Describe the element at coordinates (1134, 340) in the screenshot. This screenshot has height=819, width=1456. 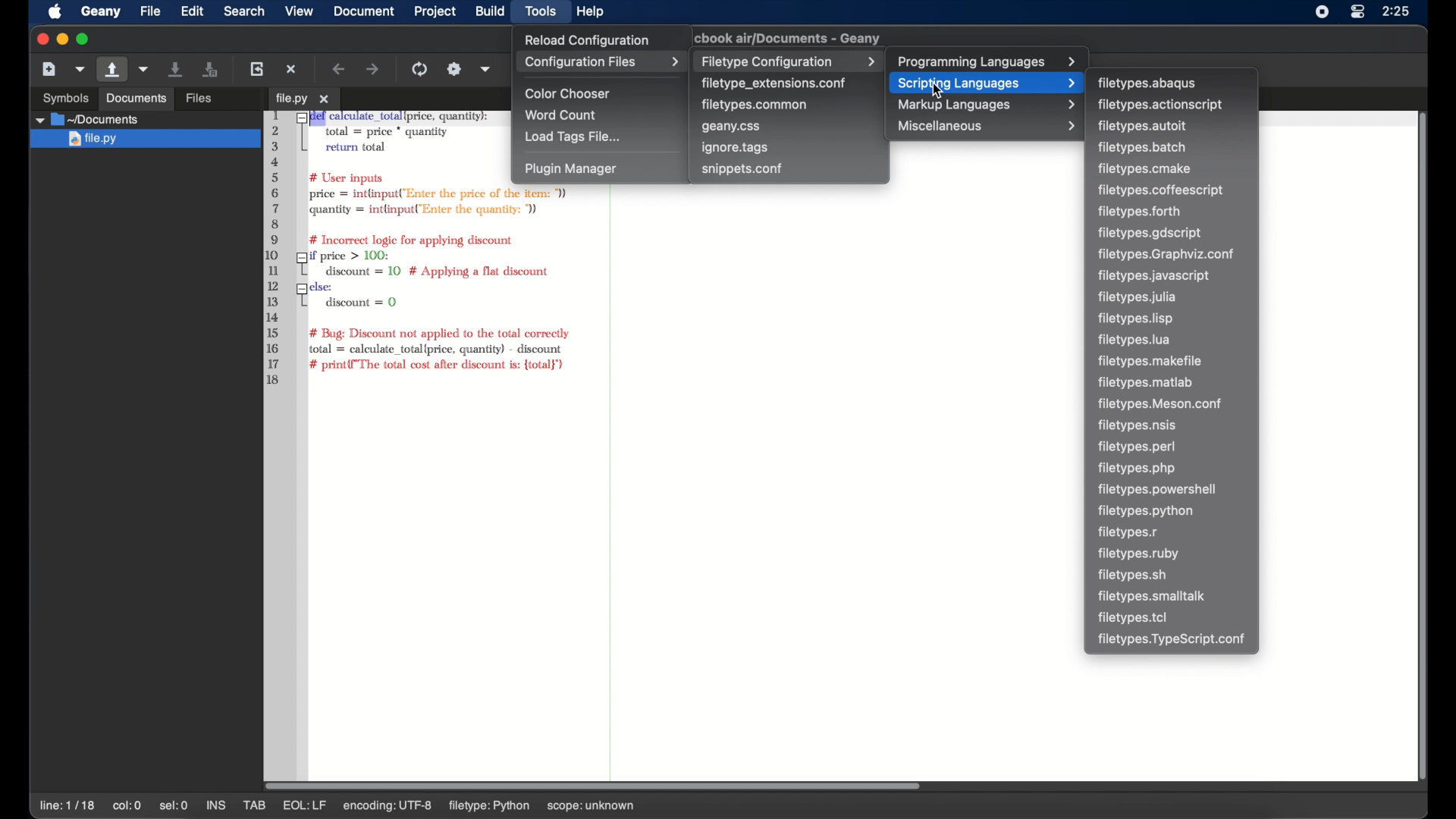
I see `filetypes` at that location.